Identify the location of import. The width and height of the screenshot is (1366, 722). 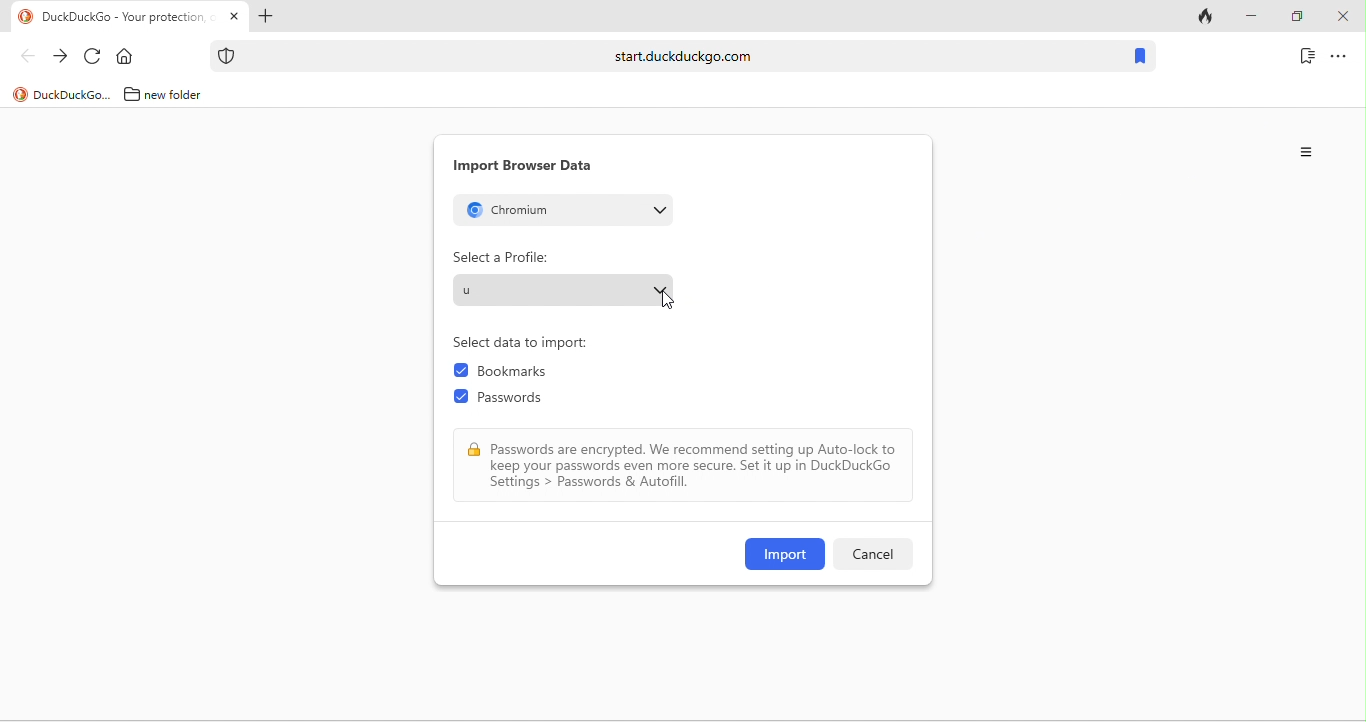
(785, 554).